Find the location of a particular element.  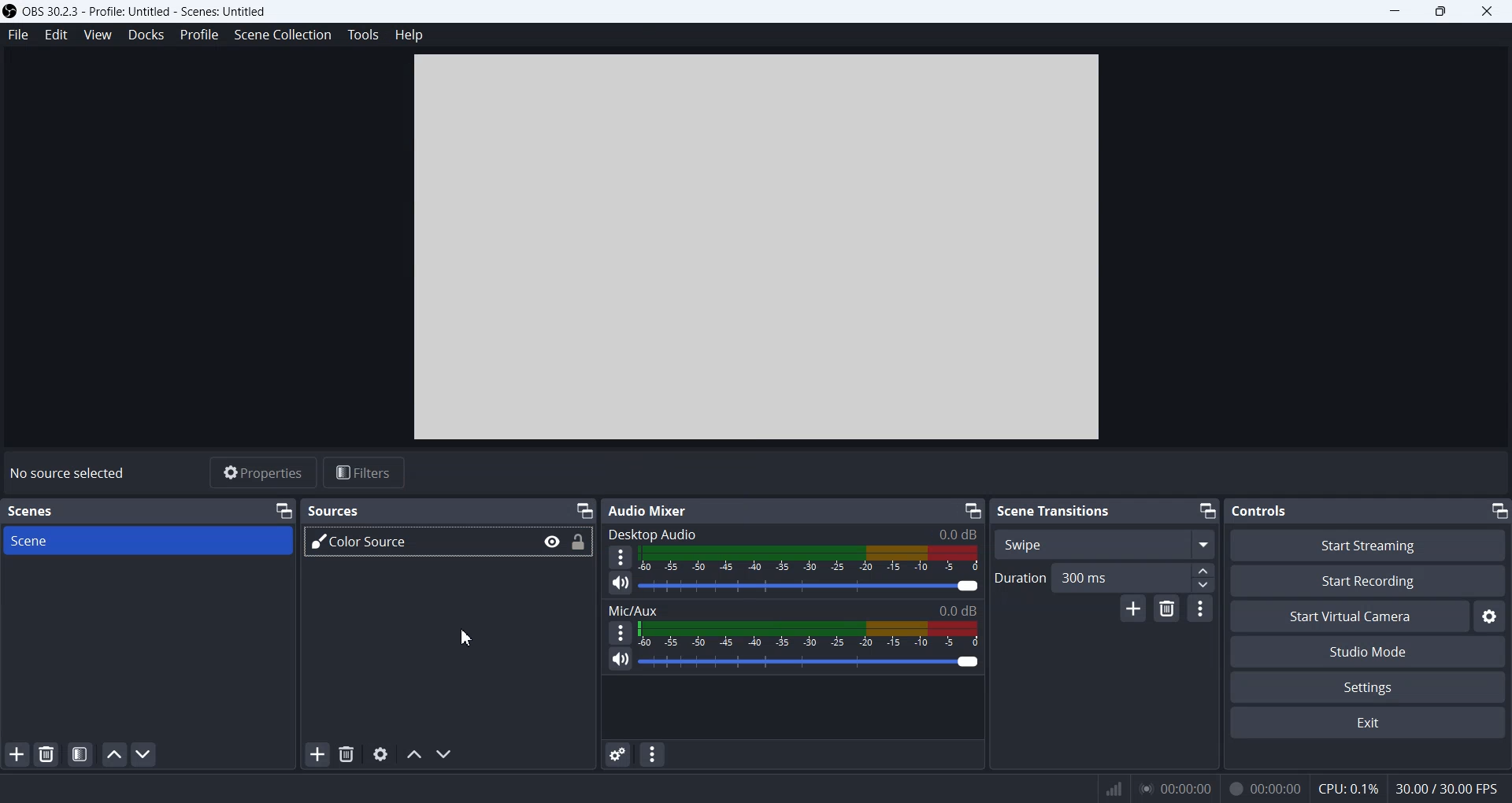

View is located at coordinates (97, 34).